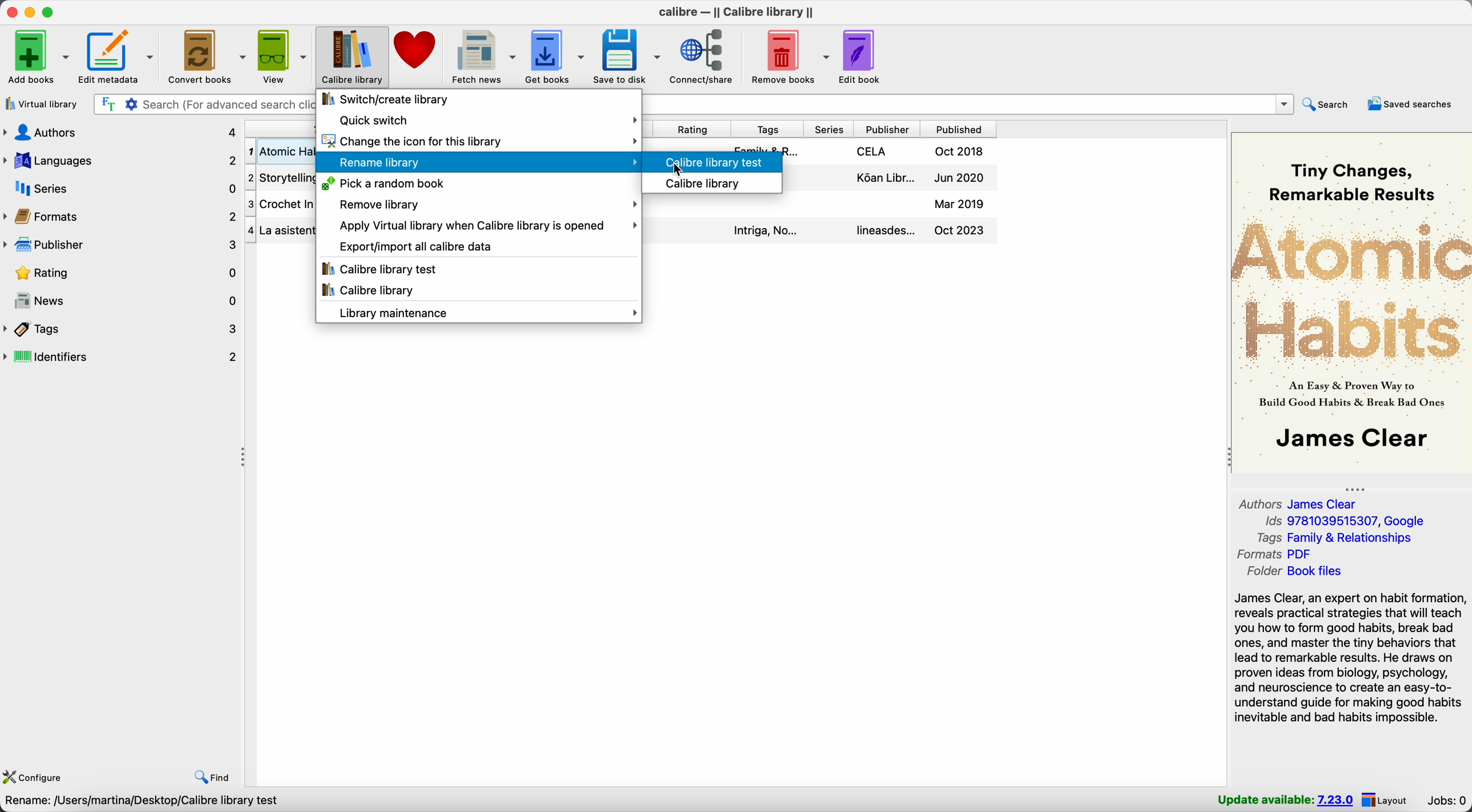  What do you see at coordinates (819, 206) in the screenshot?
I see `Crochet In & Out details book` at bounding box center [819, 206].